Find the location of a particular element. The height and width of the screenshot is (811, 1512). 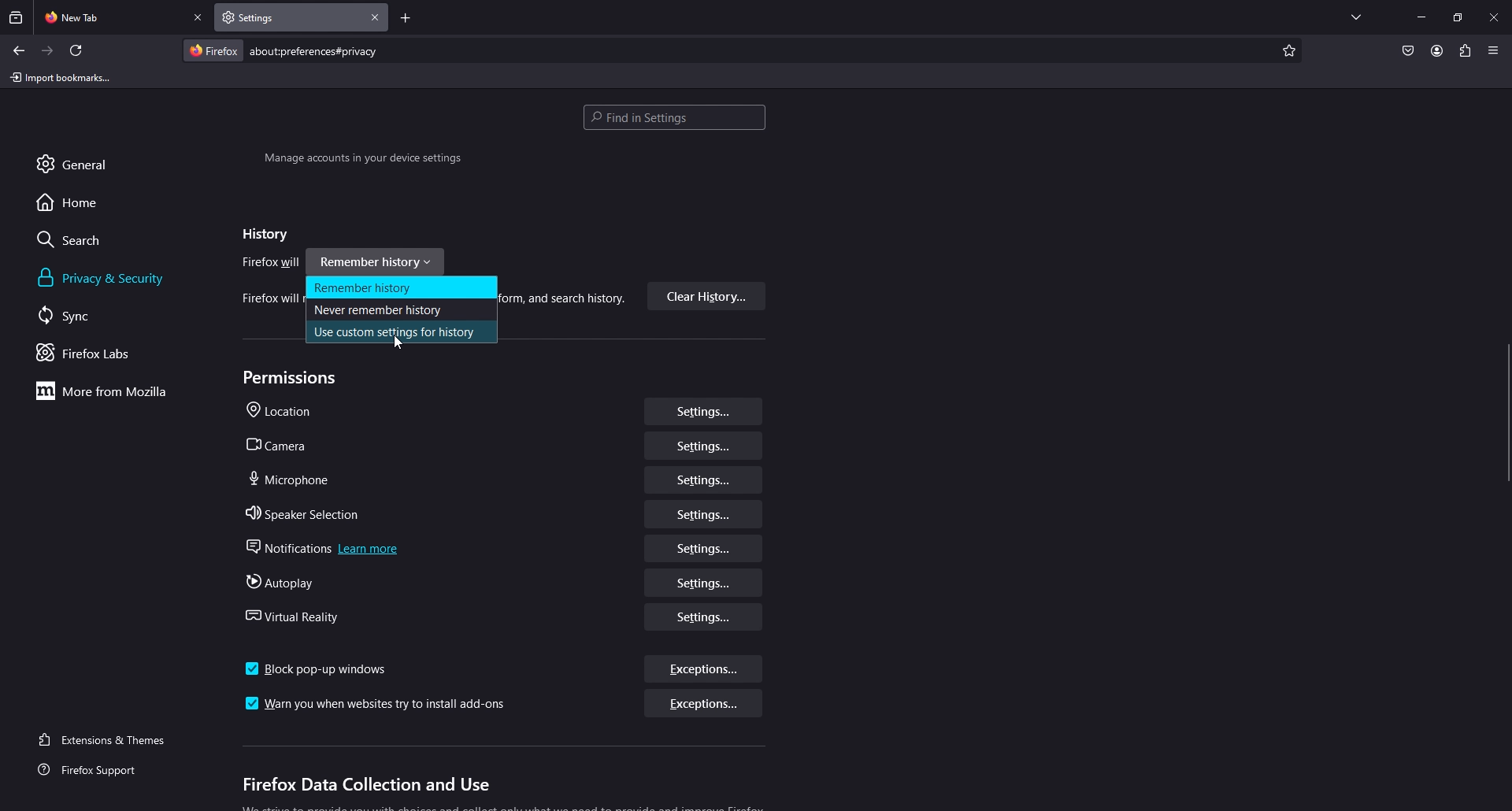

Remember history is located at coordinates (380, 260).